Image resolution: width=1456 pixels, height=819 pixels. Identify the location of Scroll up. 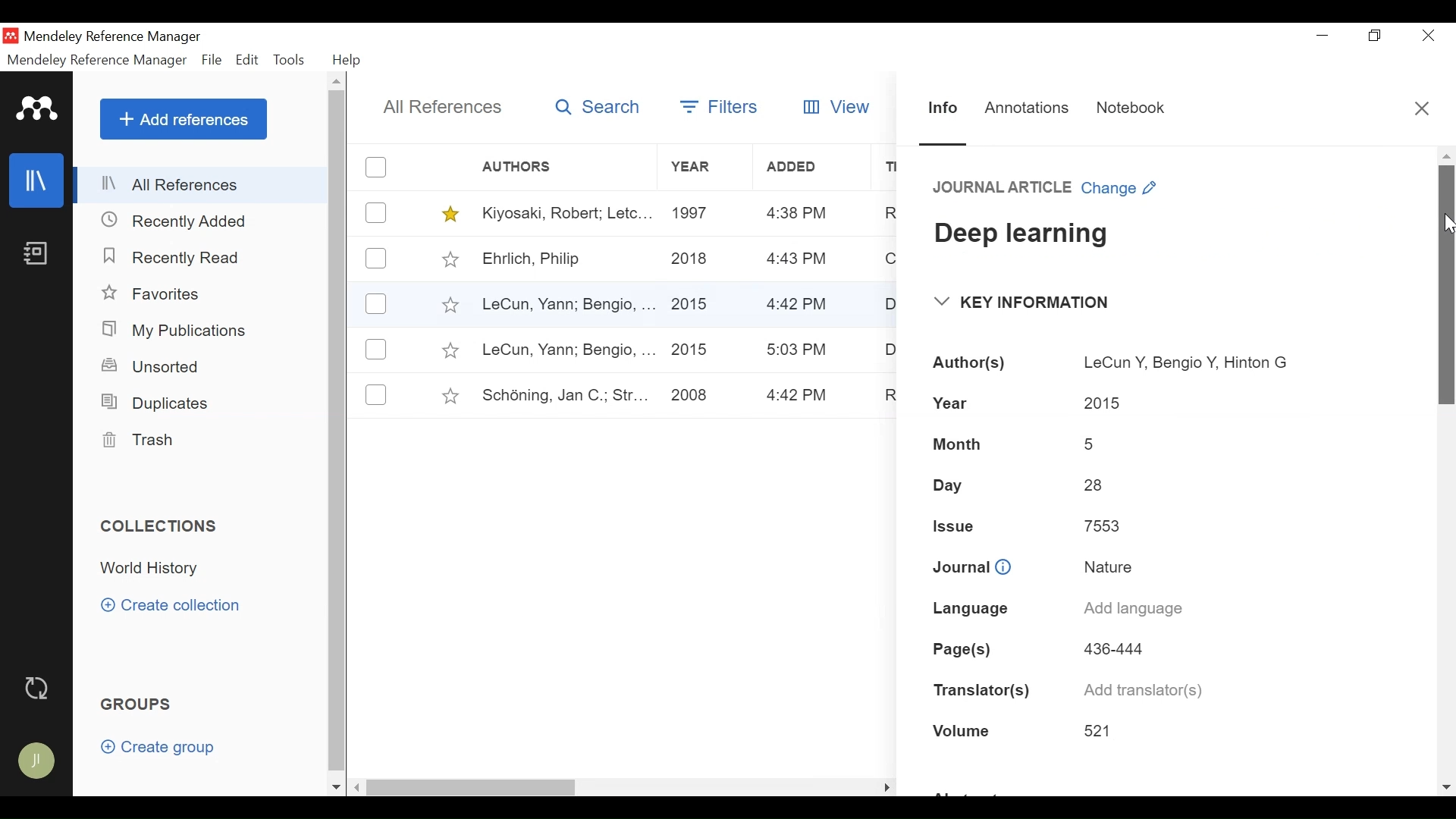
(338, 83).